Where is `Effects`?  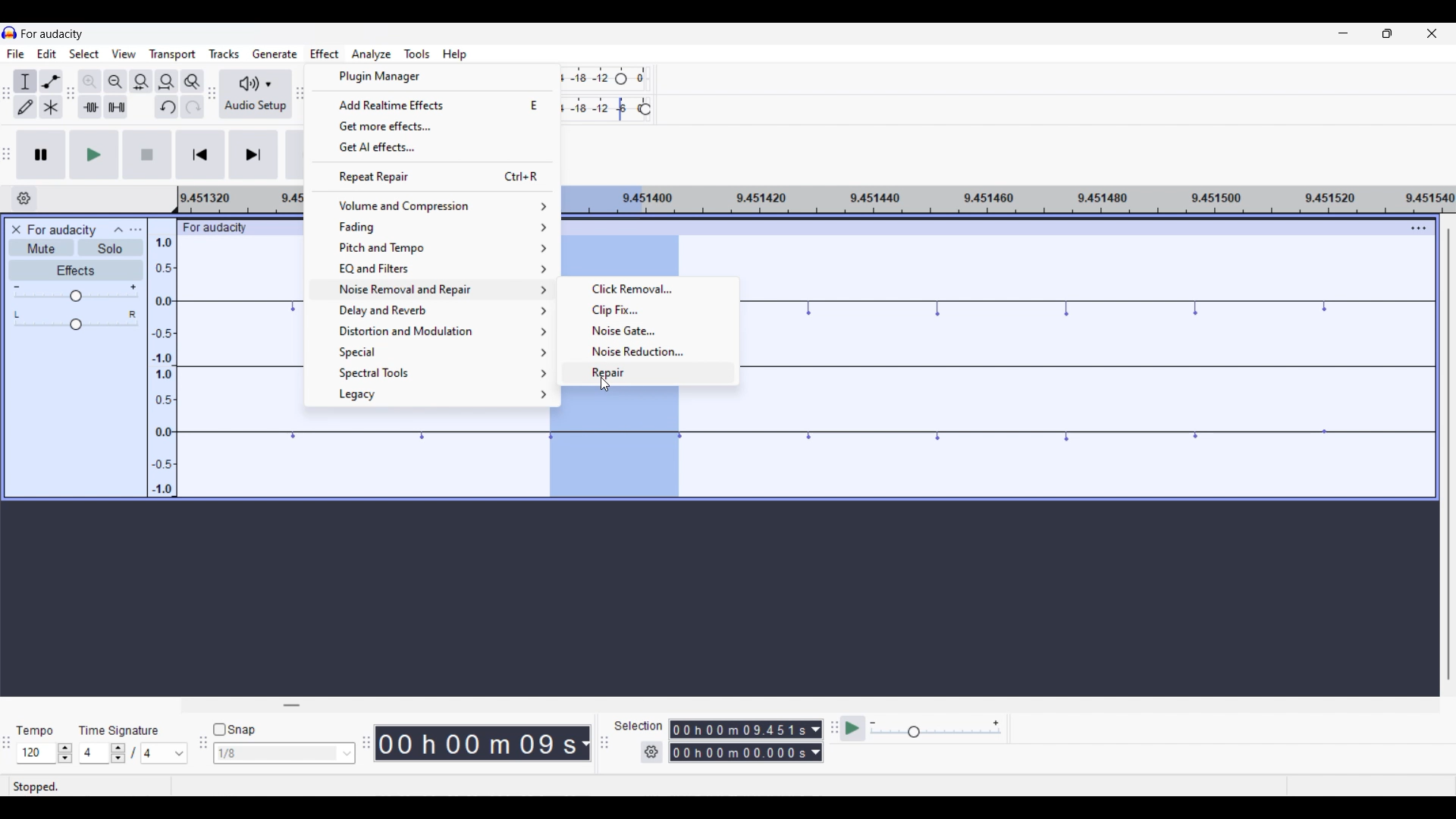 Effects is located at coordinates (77, 270).